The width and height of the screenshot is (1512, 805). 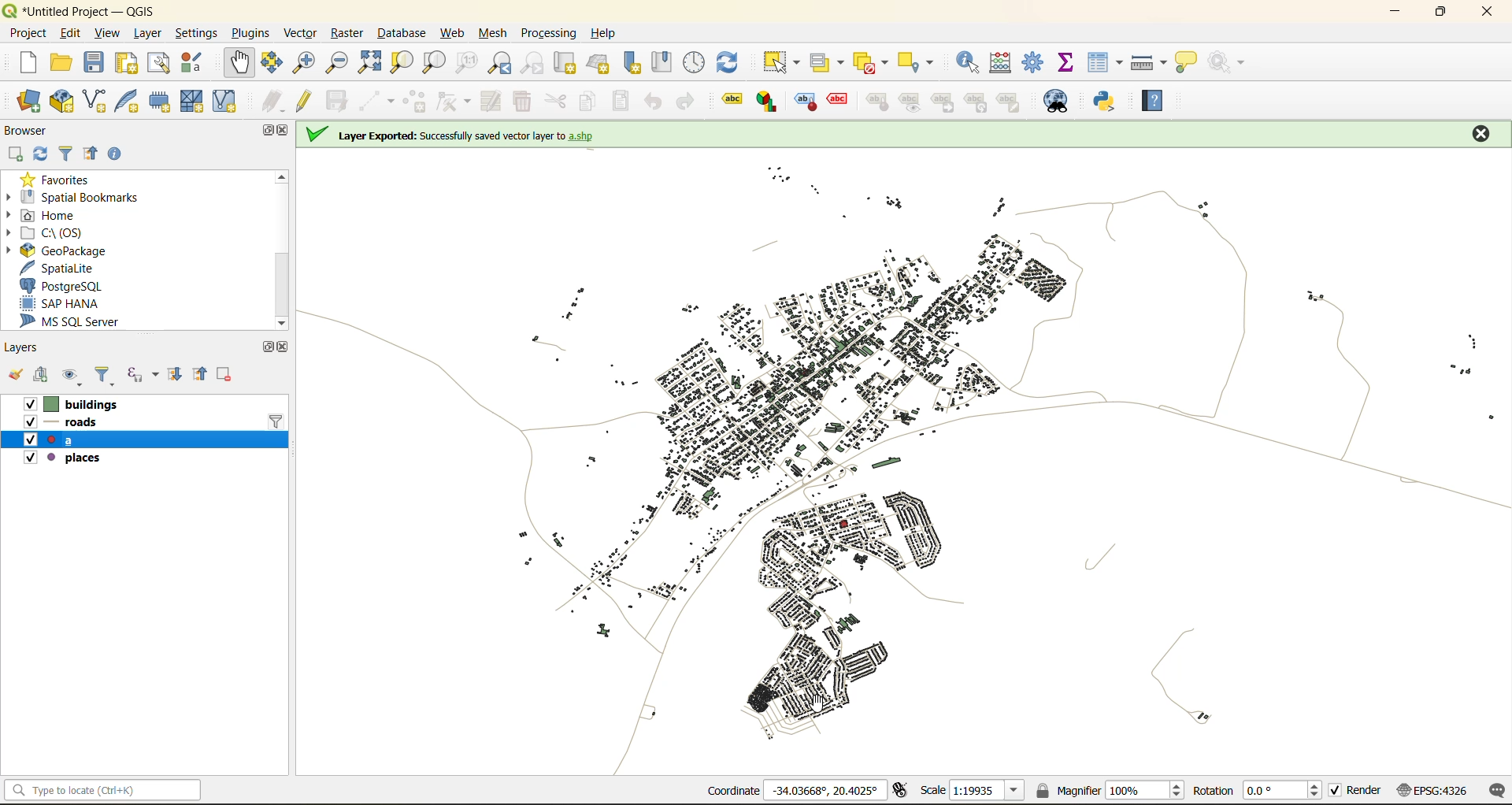 What do you see at coordinates (60, 457) in the screenshot?
I see `places` at bounding box center [60, 457].